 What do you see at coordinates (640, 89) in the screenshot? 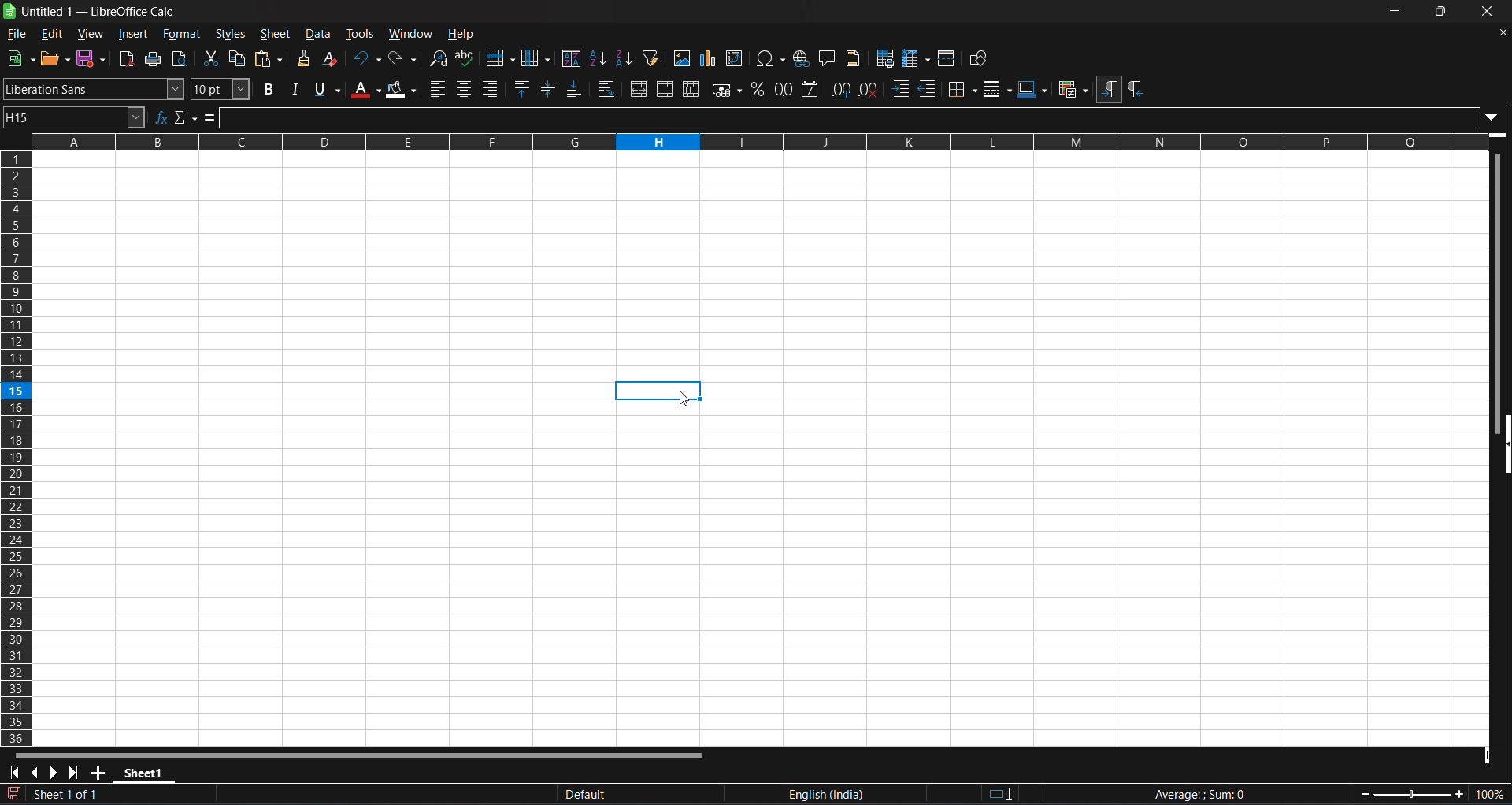
I see `merge and center or unmerge cells depending on the current toggle state` at bounding box center [640, 89].